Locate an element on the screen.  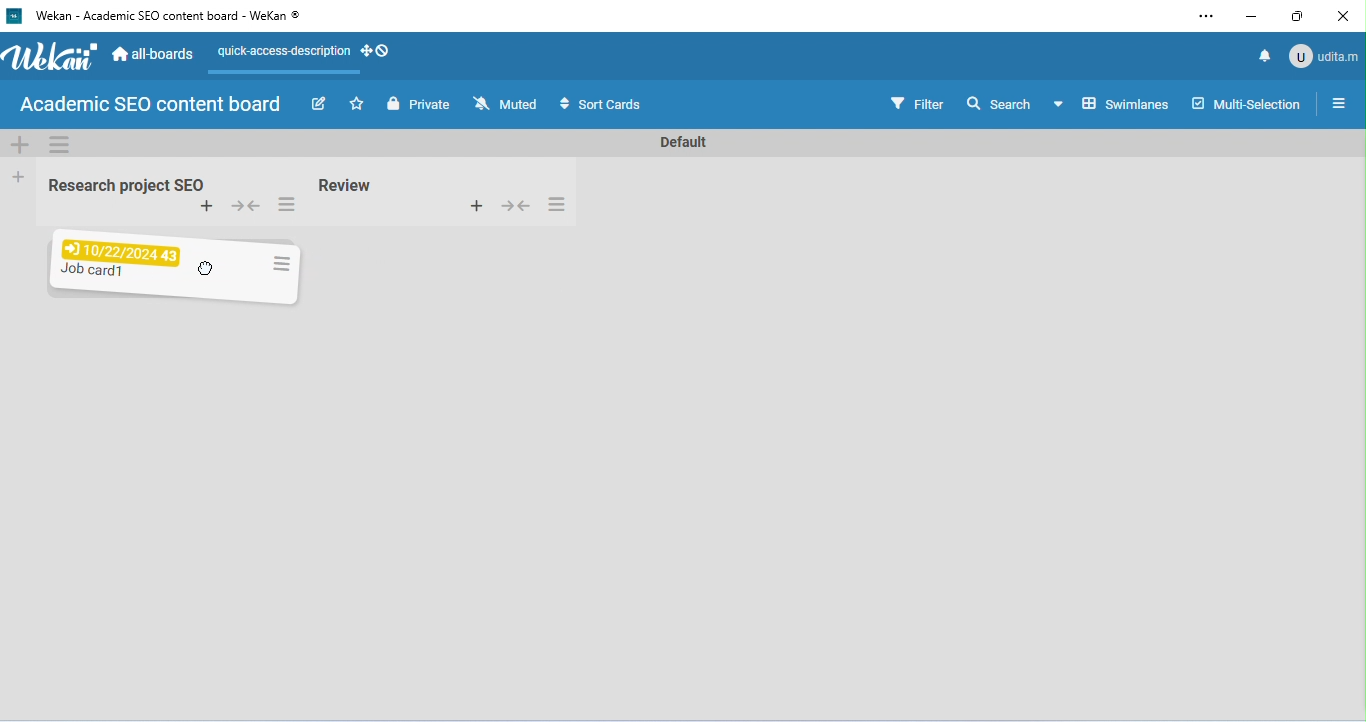
swimelane actions is located at coordinates (61, 144).